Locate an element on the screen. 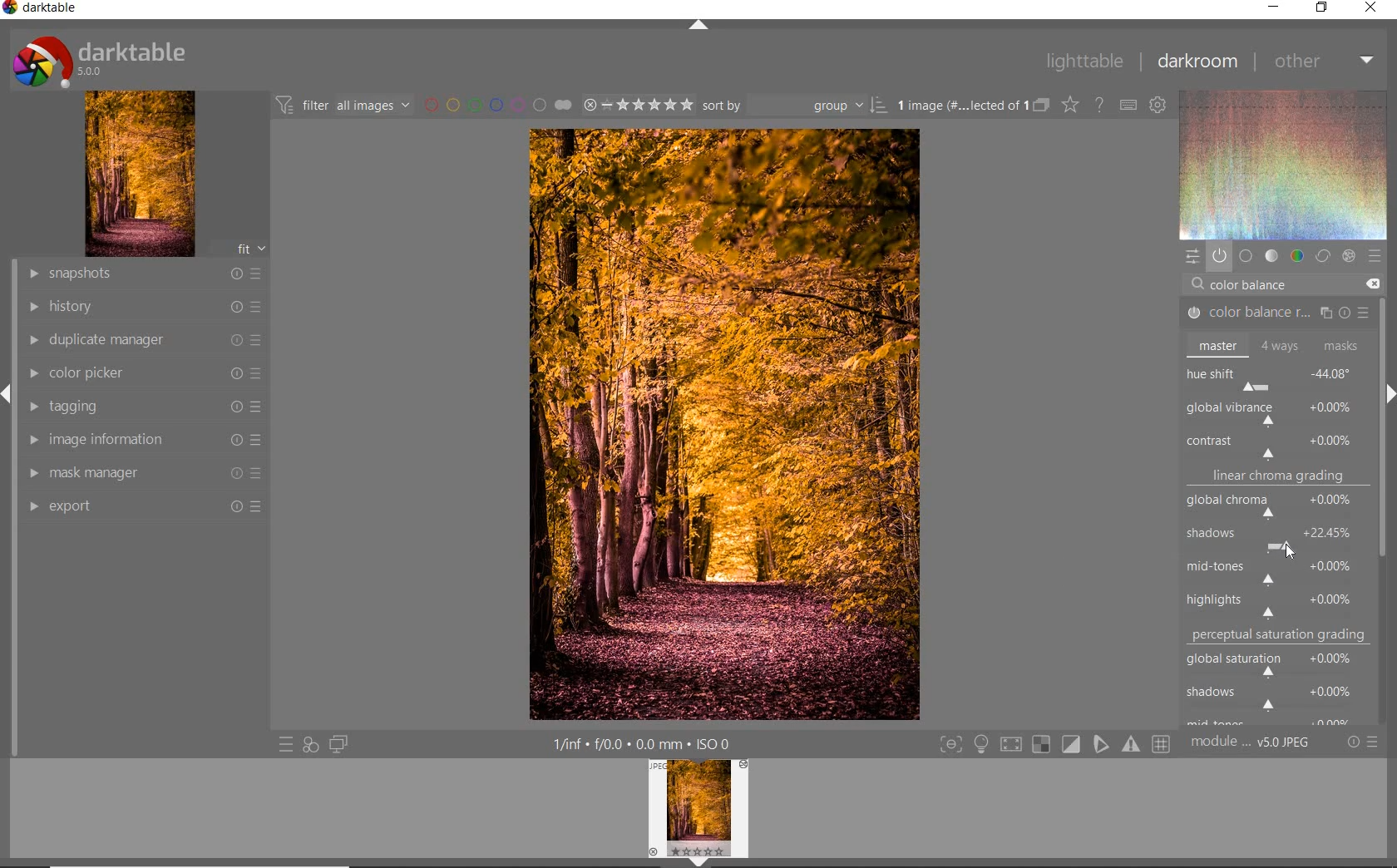  global saturation is located at coordinates (1278, 662).